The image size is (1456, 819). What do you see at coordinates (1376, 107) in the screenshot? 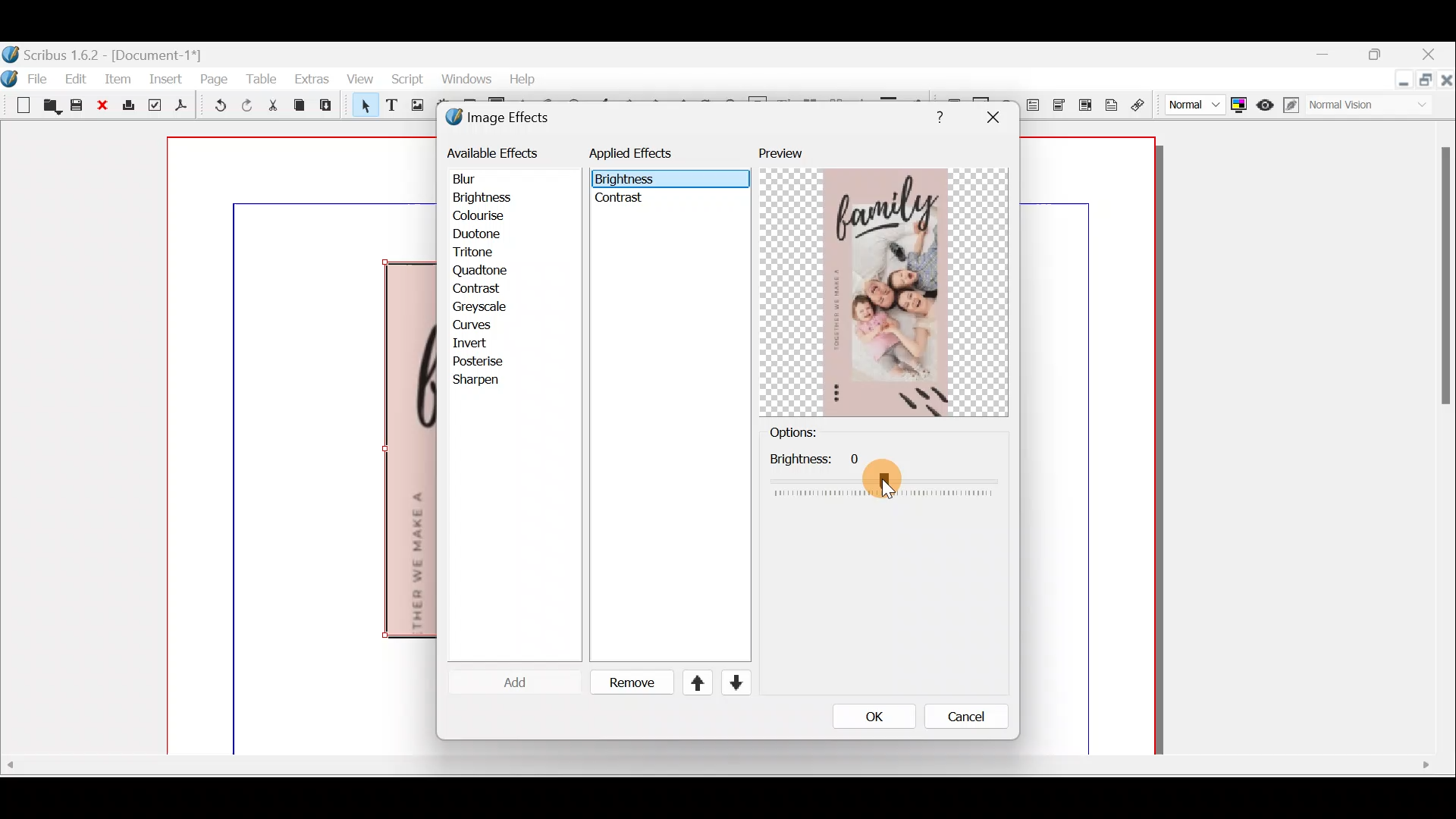
I see `Visual appearance of display` at bounding box center [1376, 107].